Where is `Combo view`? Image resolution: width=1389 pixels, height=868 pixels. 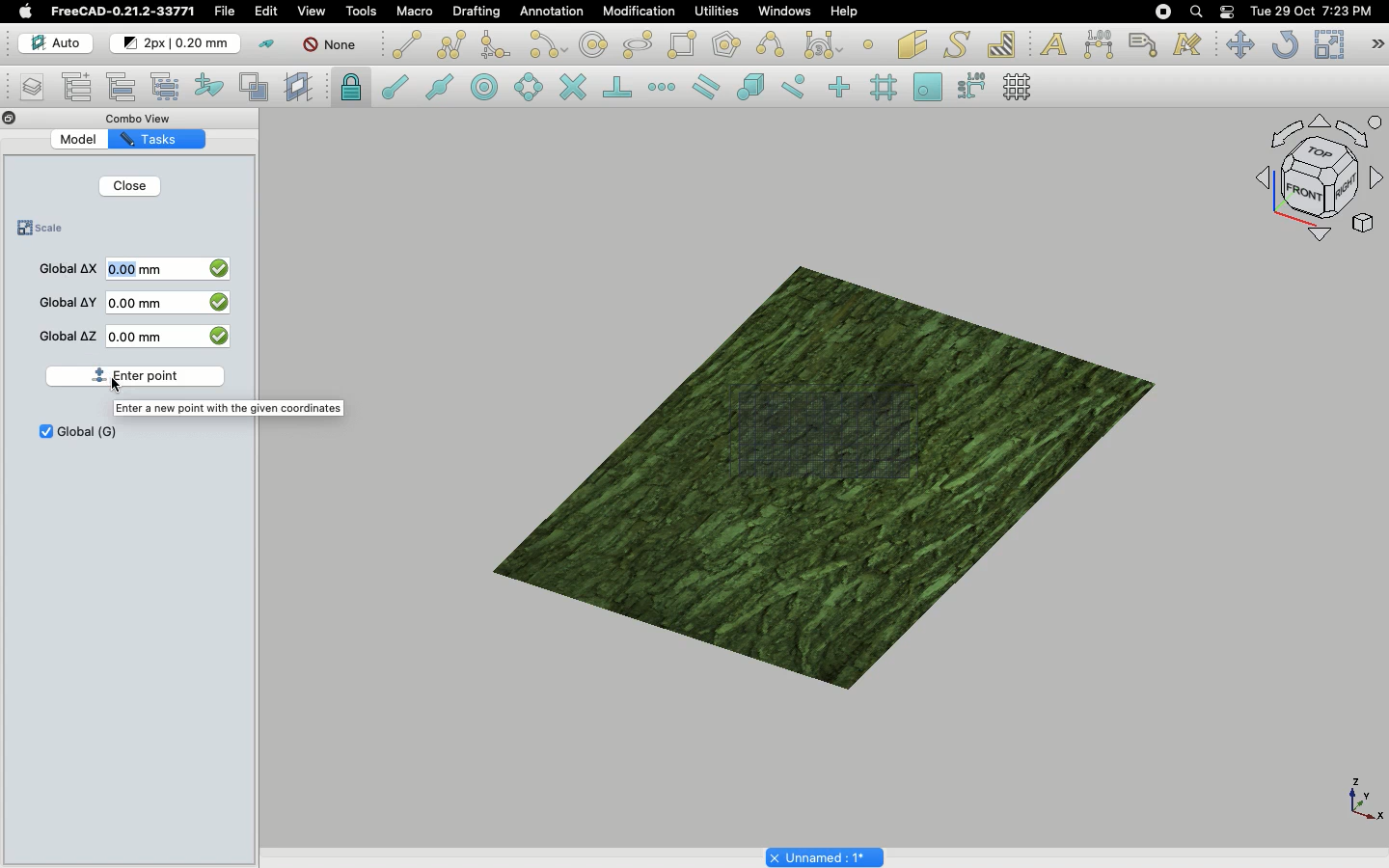
Combo view is located at coordinates (143, 116).